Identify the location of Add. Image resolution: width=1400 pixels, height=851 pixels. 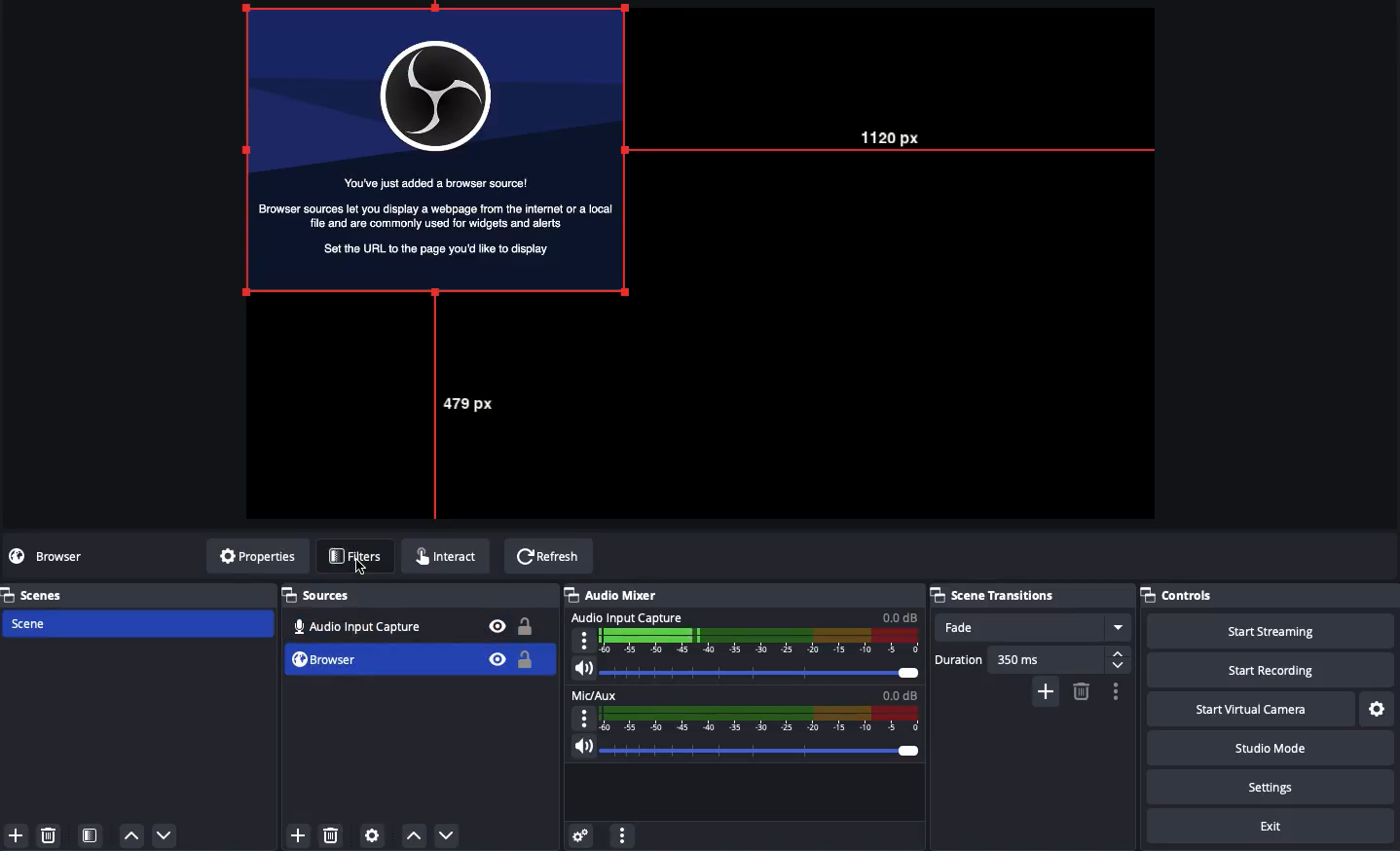
(1046, 692).